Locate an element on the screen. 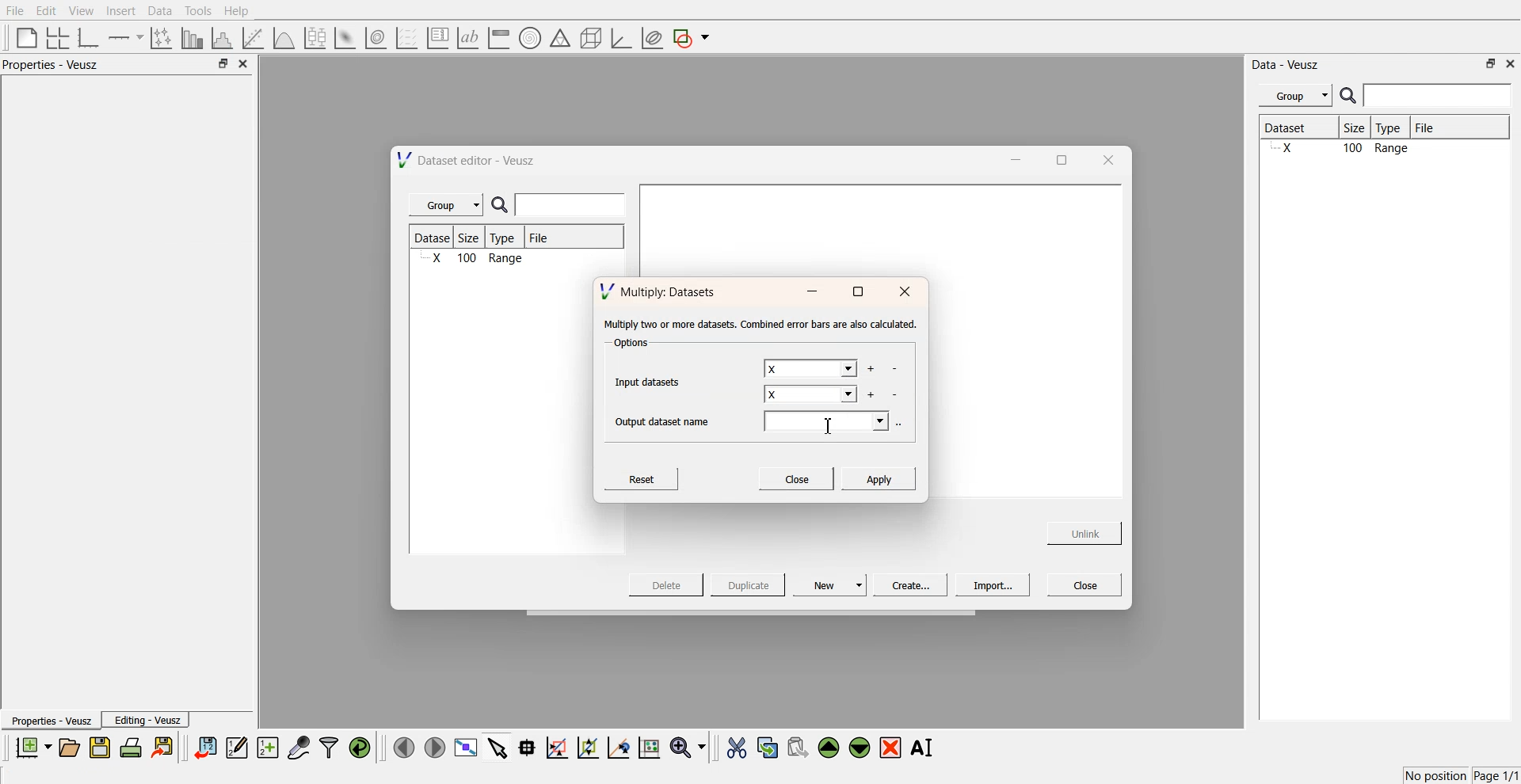 The height and width of the screenshot is (784, 1521). minimise or maximise is located at coordinates (223, 64).